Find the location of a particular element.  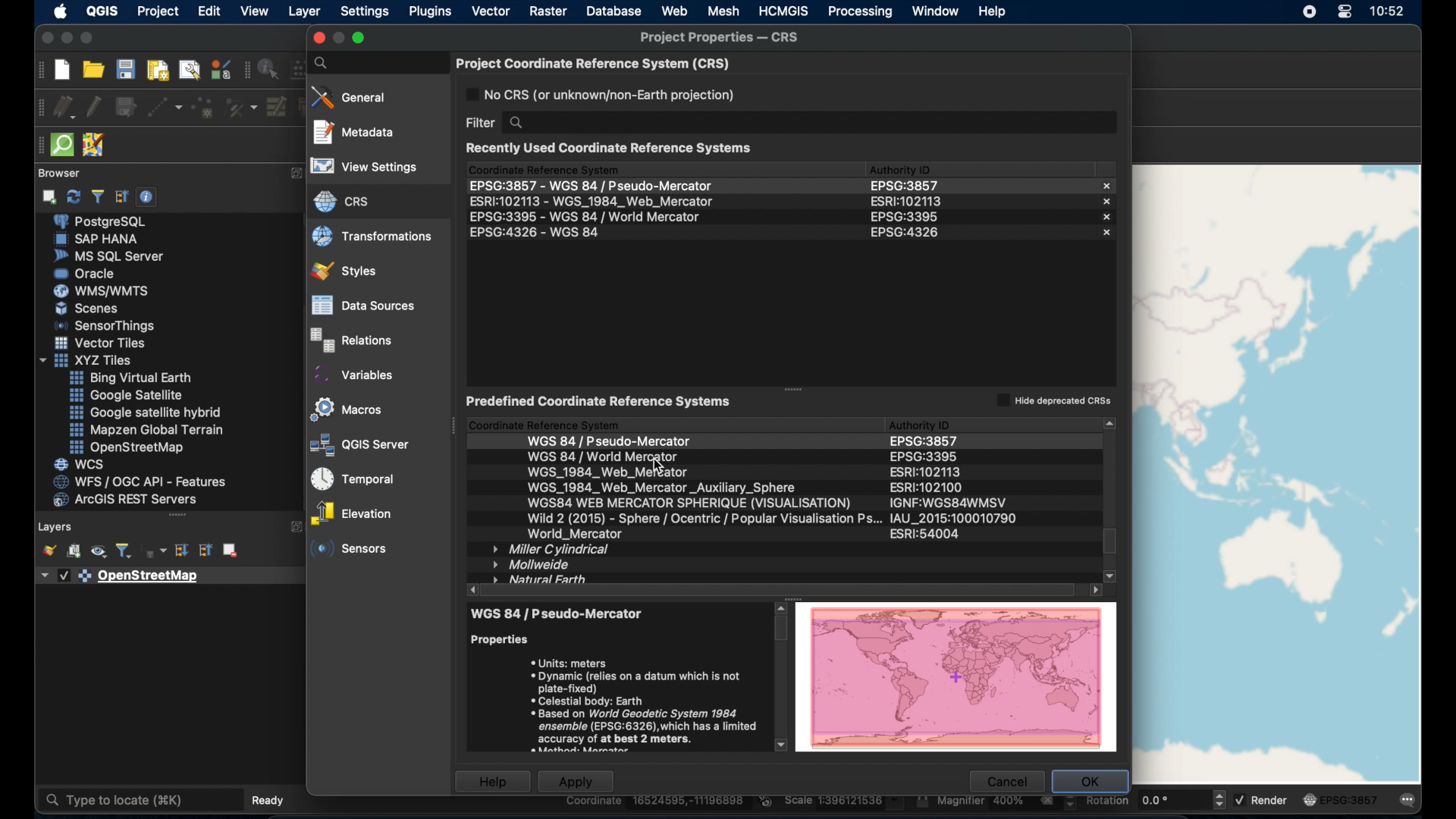

mollweide is located at coordinates (534, 563).